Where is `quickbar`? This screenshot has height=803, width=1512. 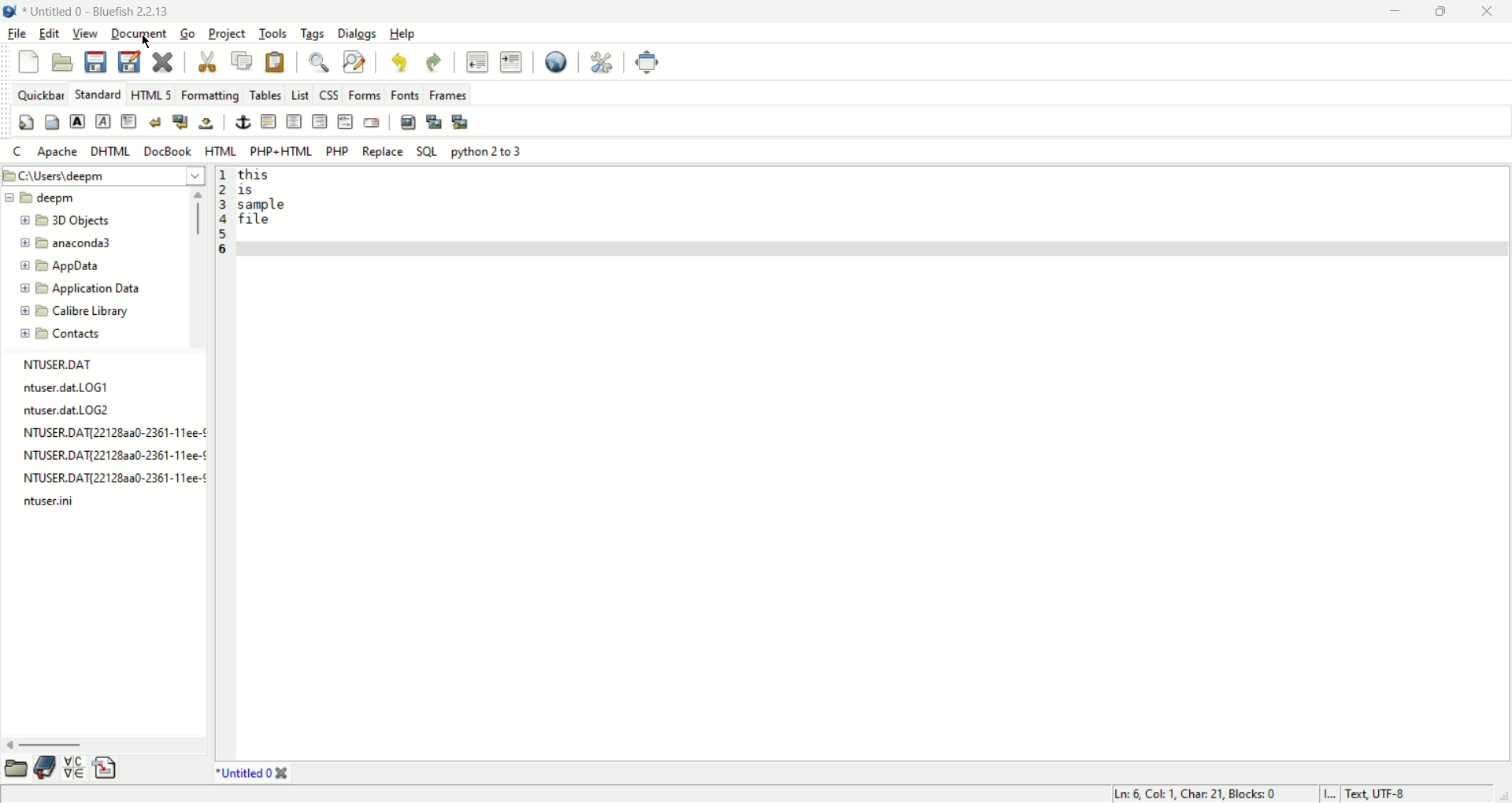 quickbar is located at coordinates (43, 96).